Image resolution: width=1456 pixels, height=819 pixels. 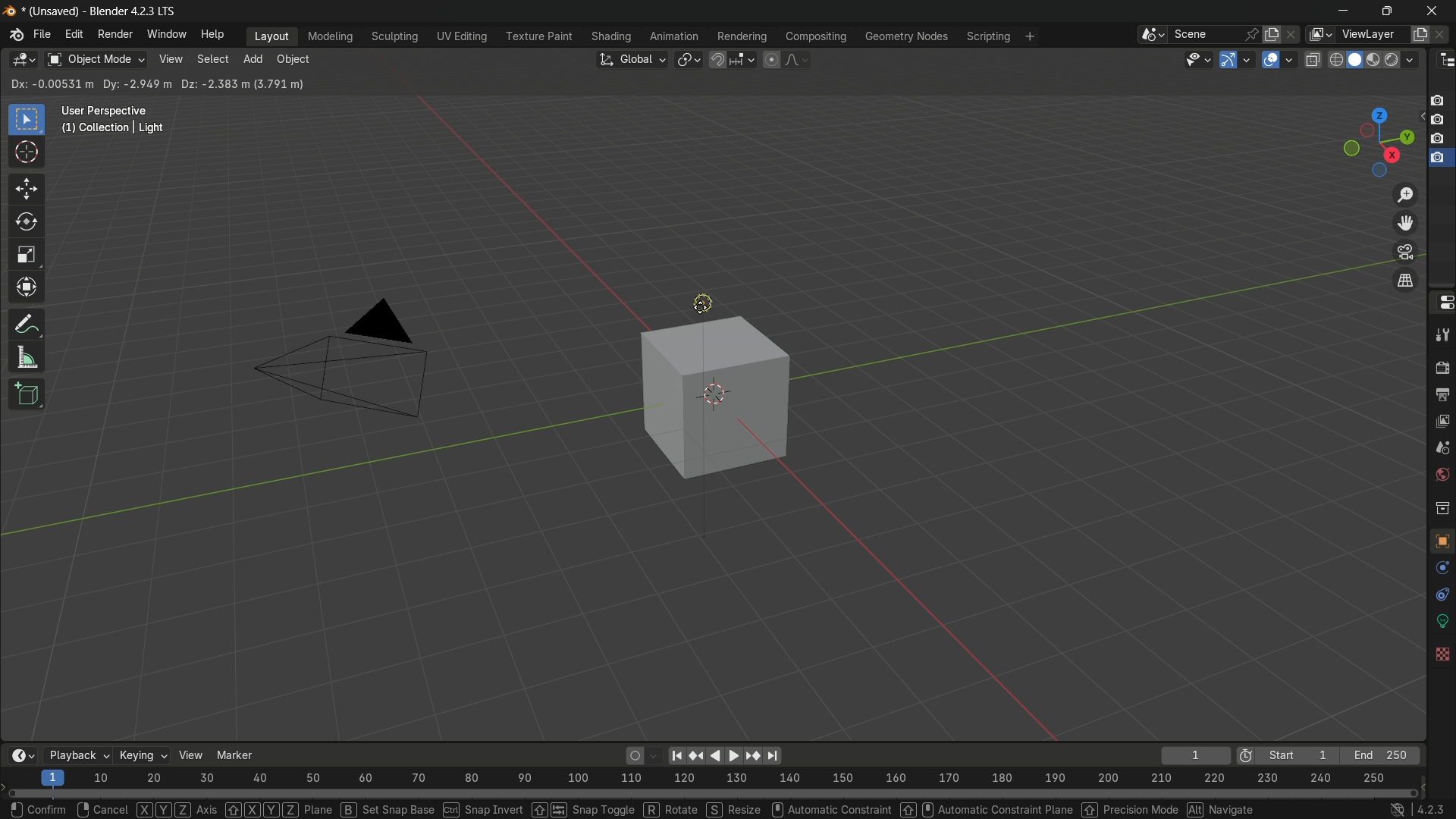 What do you see at coordinates (675, 36) in the screenshot?
I see `animation menu` at bounding box center [675, 36].